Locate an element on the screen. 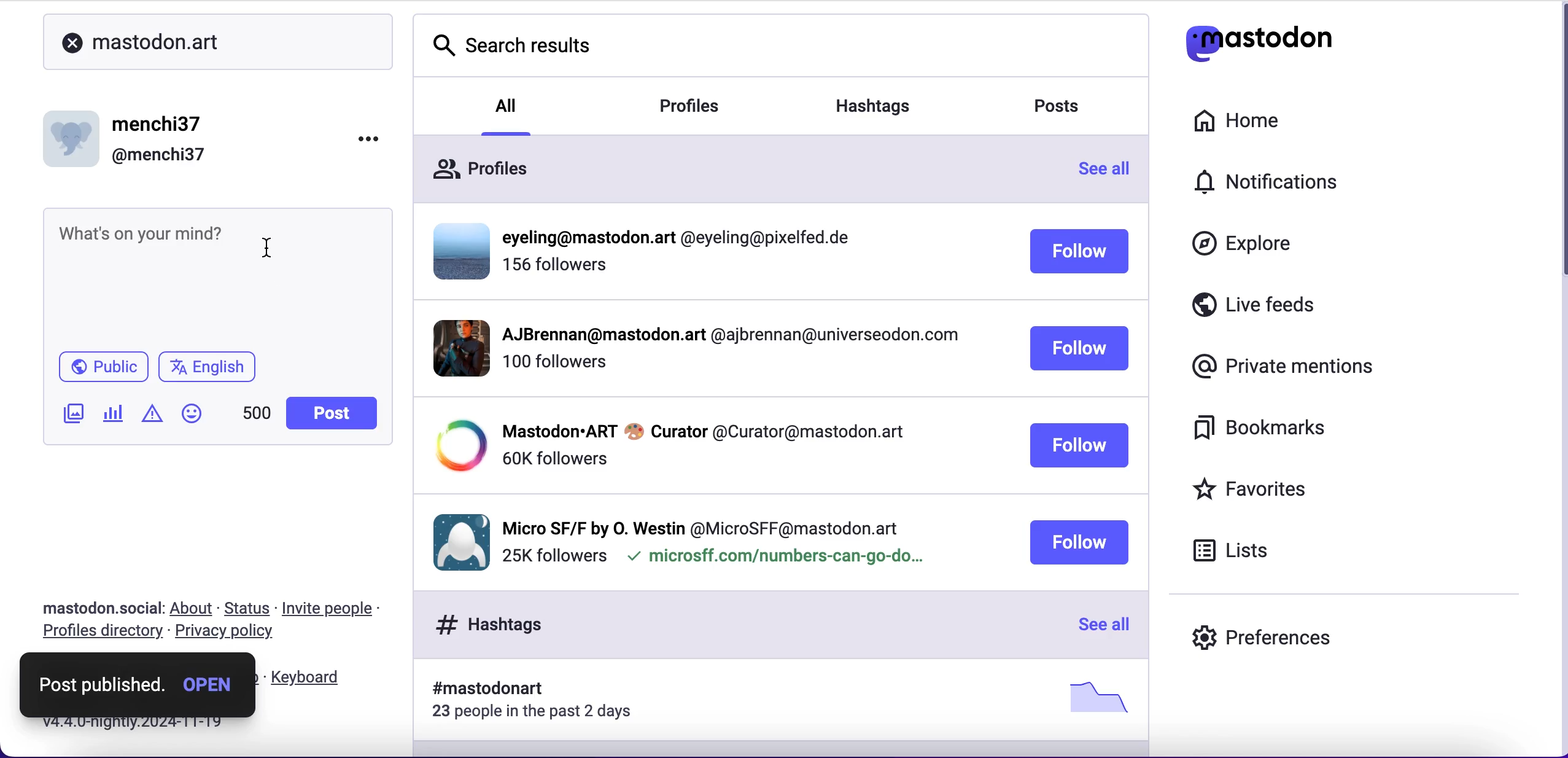 The image size is (1568, 758). add poll is located at coordinates (114, 415).